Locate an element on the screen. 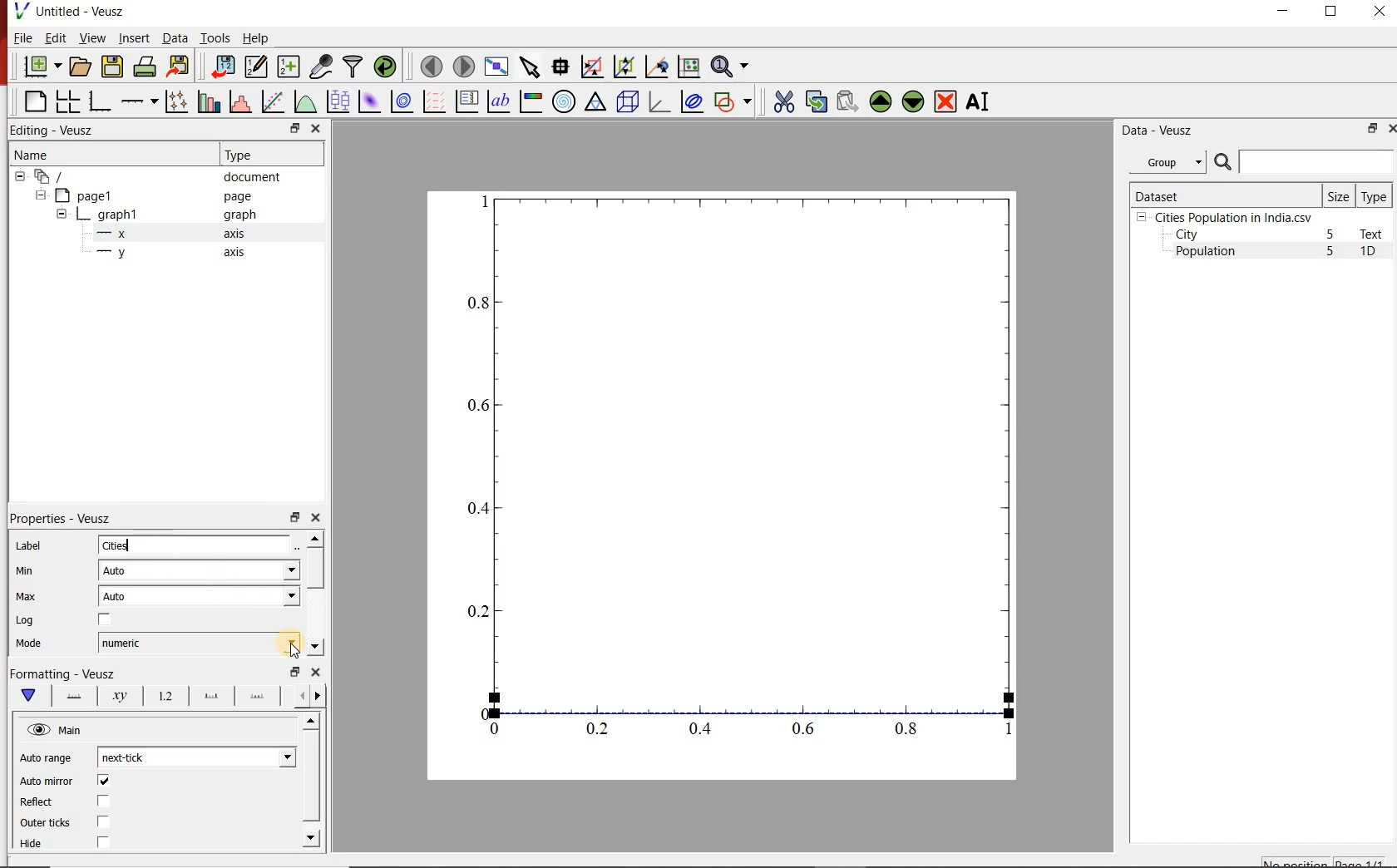  plot key is located at coordinates (466, 101).